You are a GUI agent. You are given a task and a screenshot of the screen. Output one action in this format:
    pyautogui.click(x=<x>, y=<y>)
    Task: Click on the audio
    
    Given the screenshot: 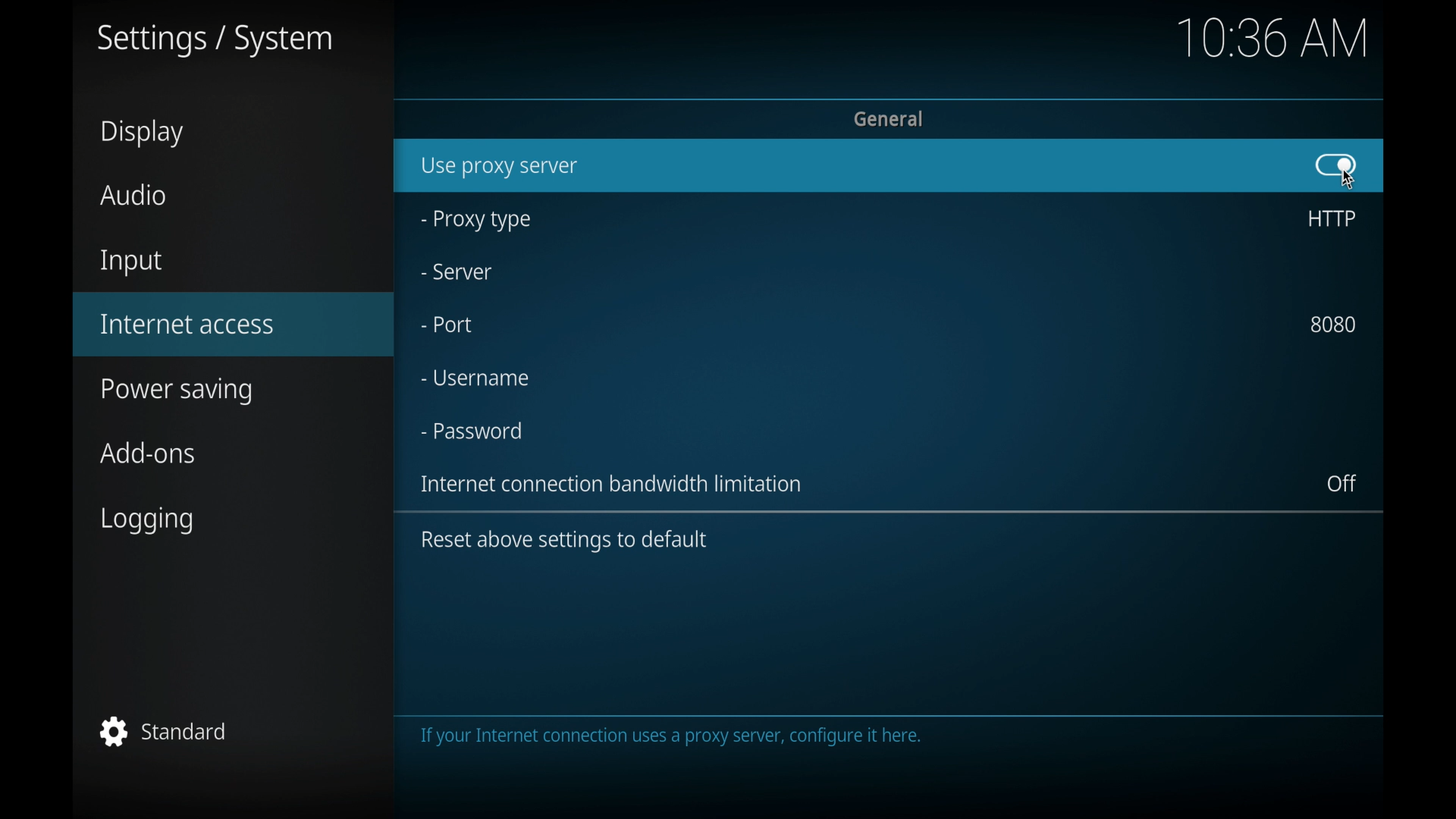 What is the action you would take?
    pyautogui.click(x=133, y=196)
    